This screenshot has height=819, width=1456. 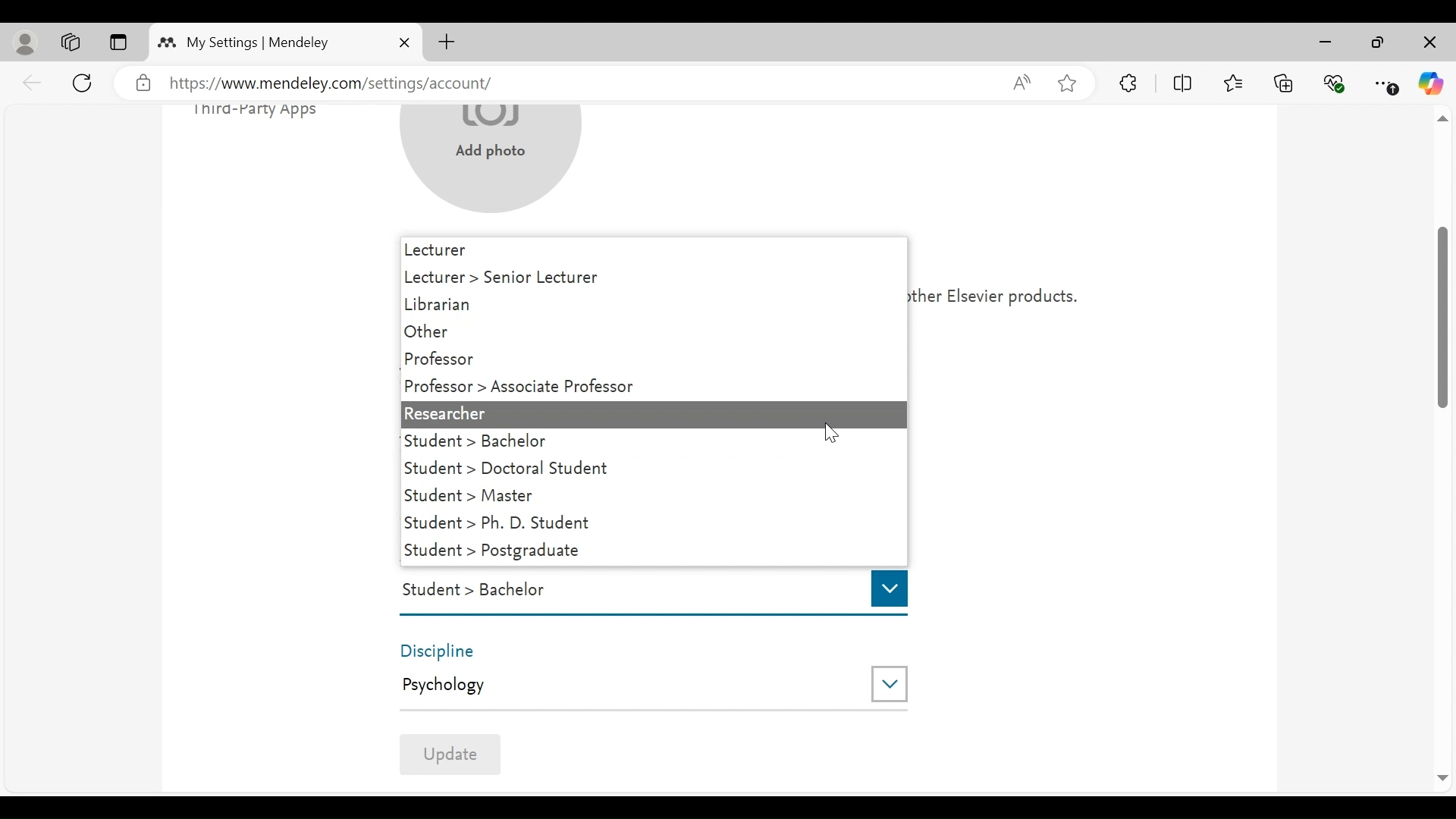 I want to click on Close, so click(x=1428, y=43).